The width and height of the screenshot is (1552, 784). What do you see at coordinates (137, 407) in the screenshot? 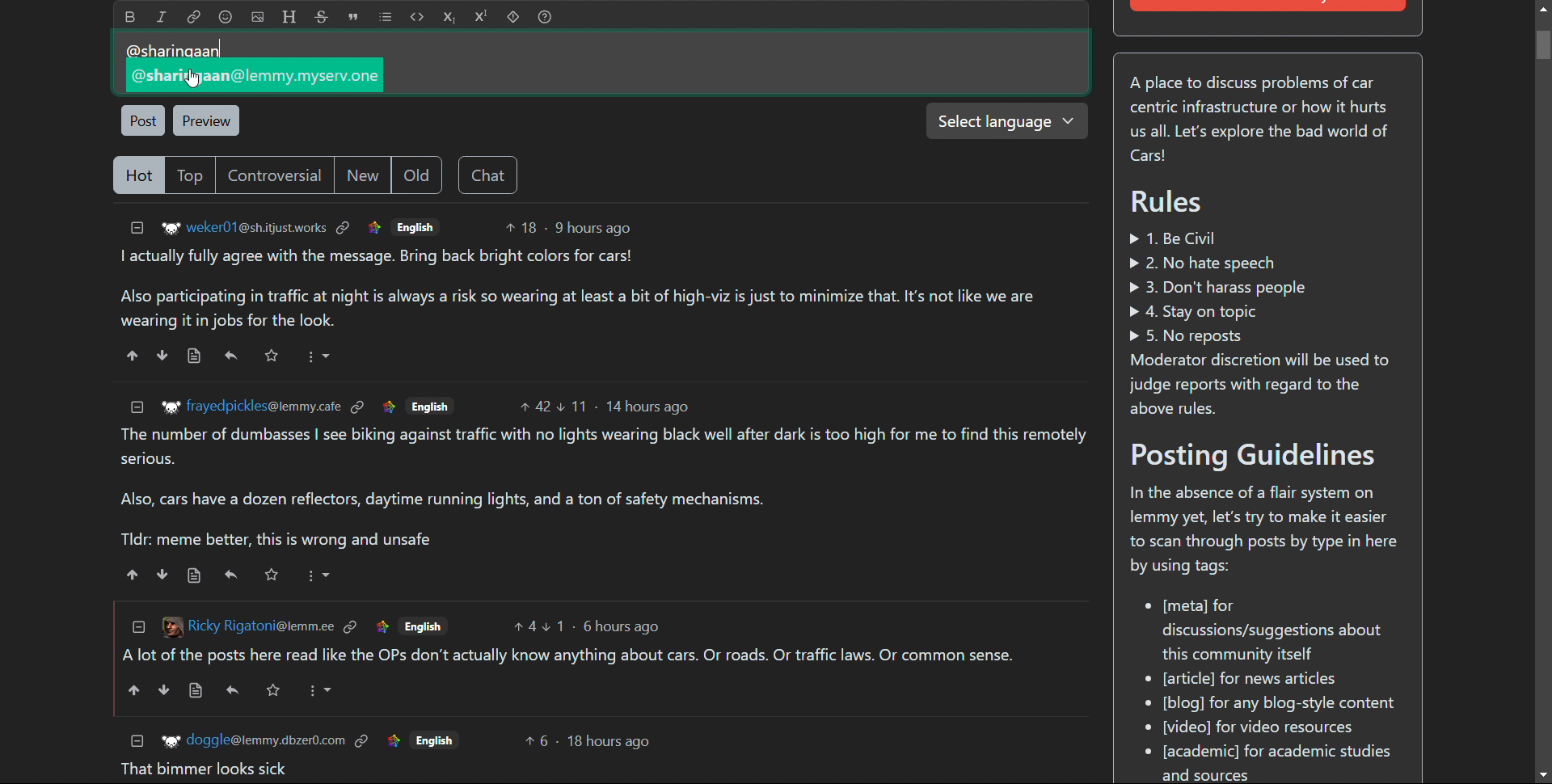
I see `collapse` at bounding box center [137, 407].